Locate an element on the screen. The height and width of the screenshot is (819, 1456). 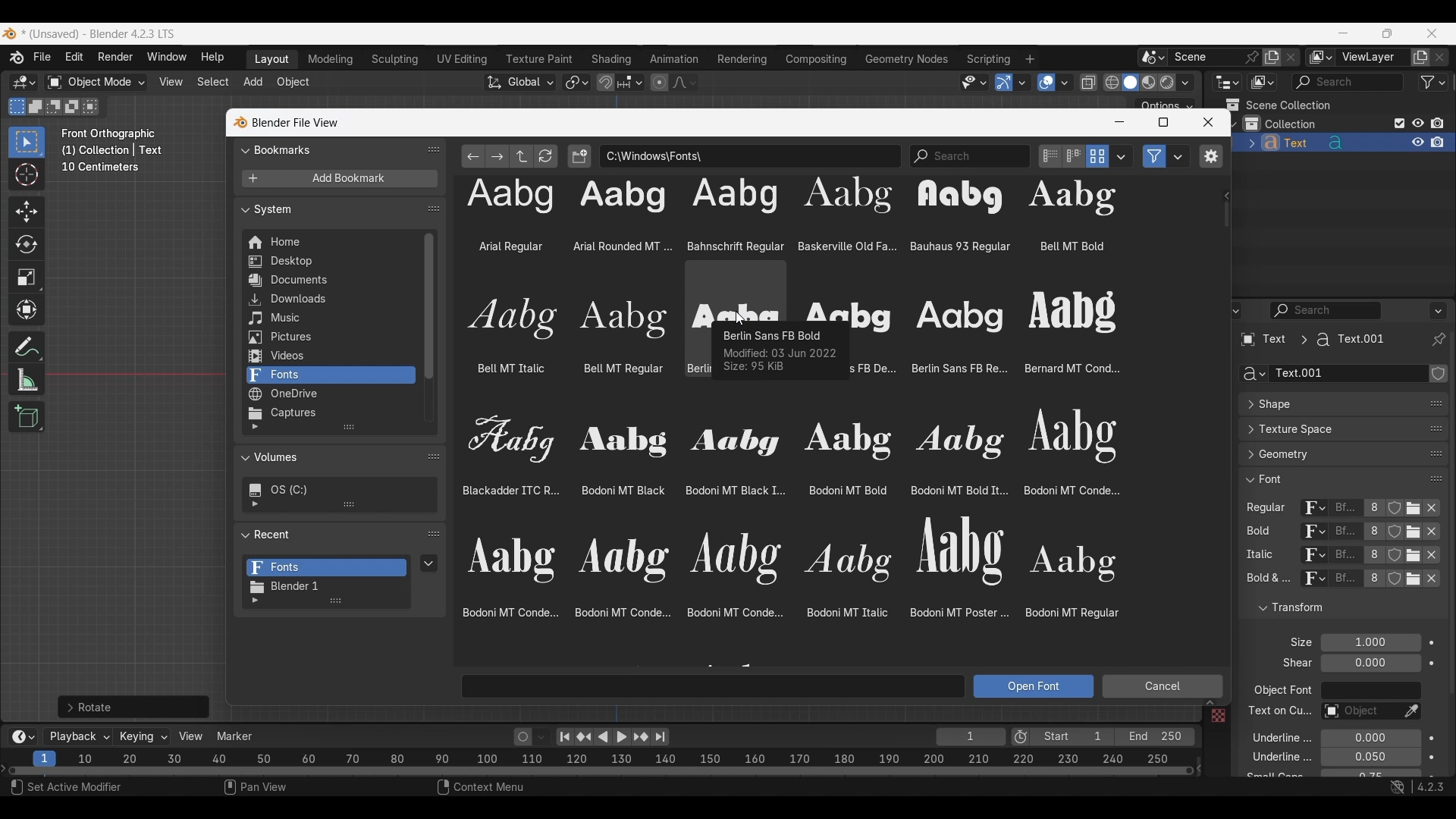
Font options is located at coordinates (789, 216).